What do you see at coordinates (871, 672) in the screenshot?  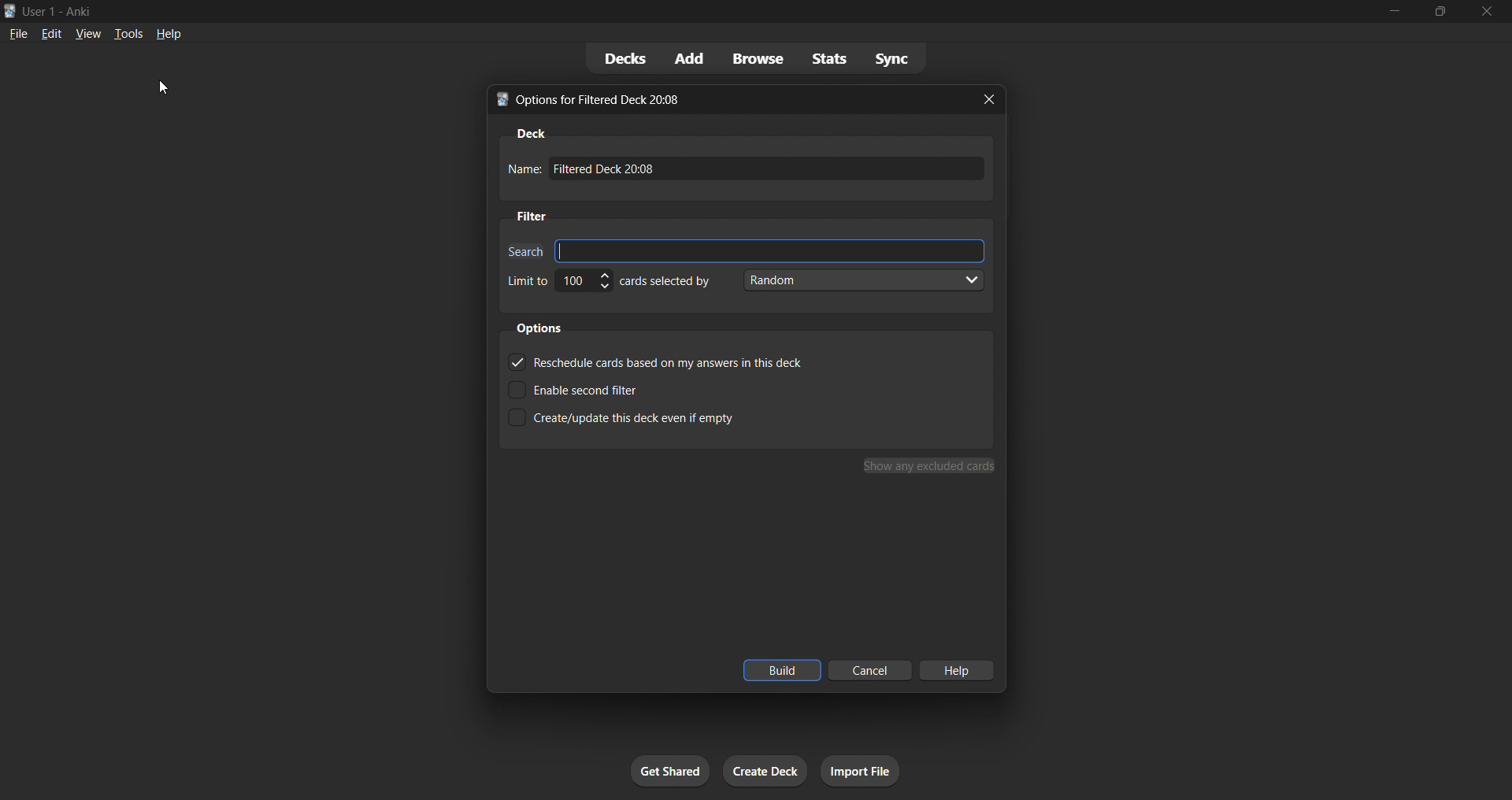 I see `cancel` at bounding box center [871, 672].